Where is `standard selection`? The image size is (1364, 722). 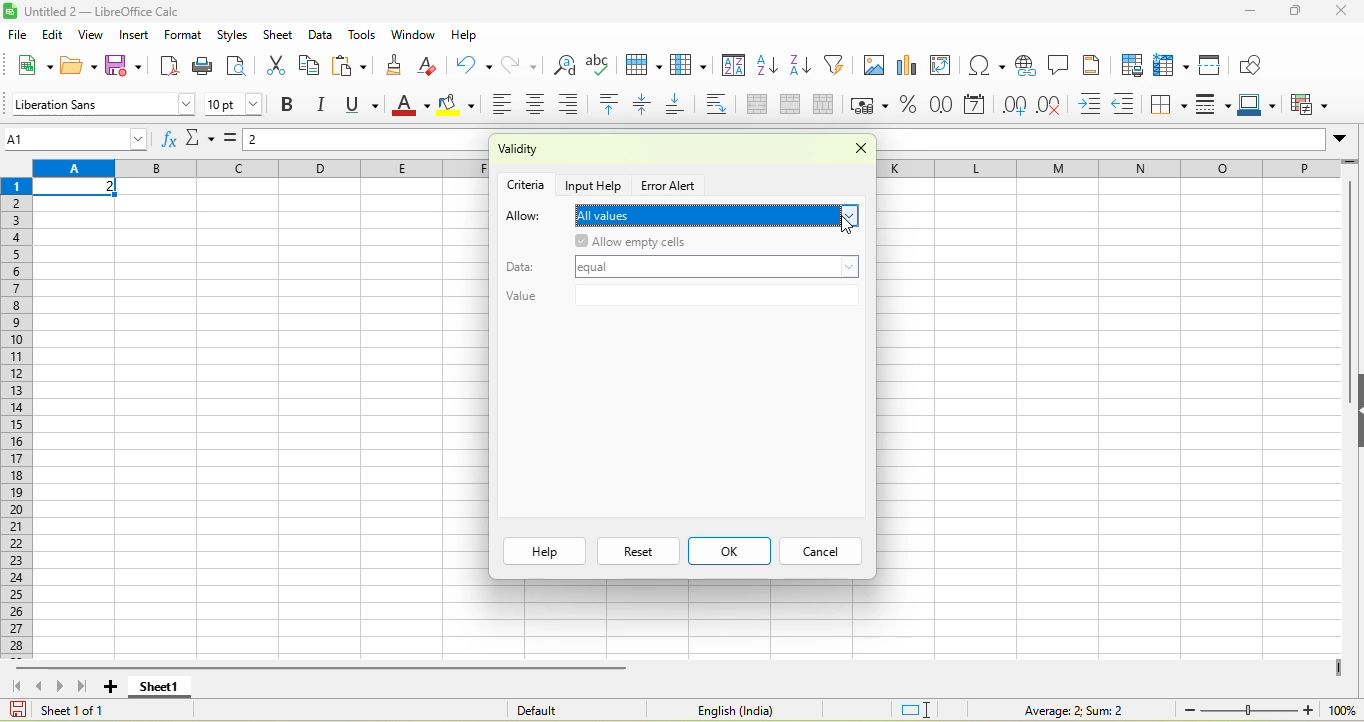
standard selection is located at coordinates (917, 708).